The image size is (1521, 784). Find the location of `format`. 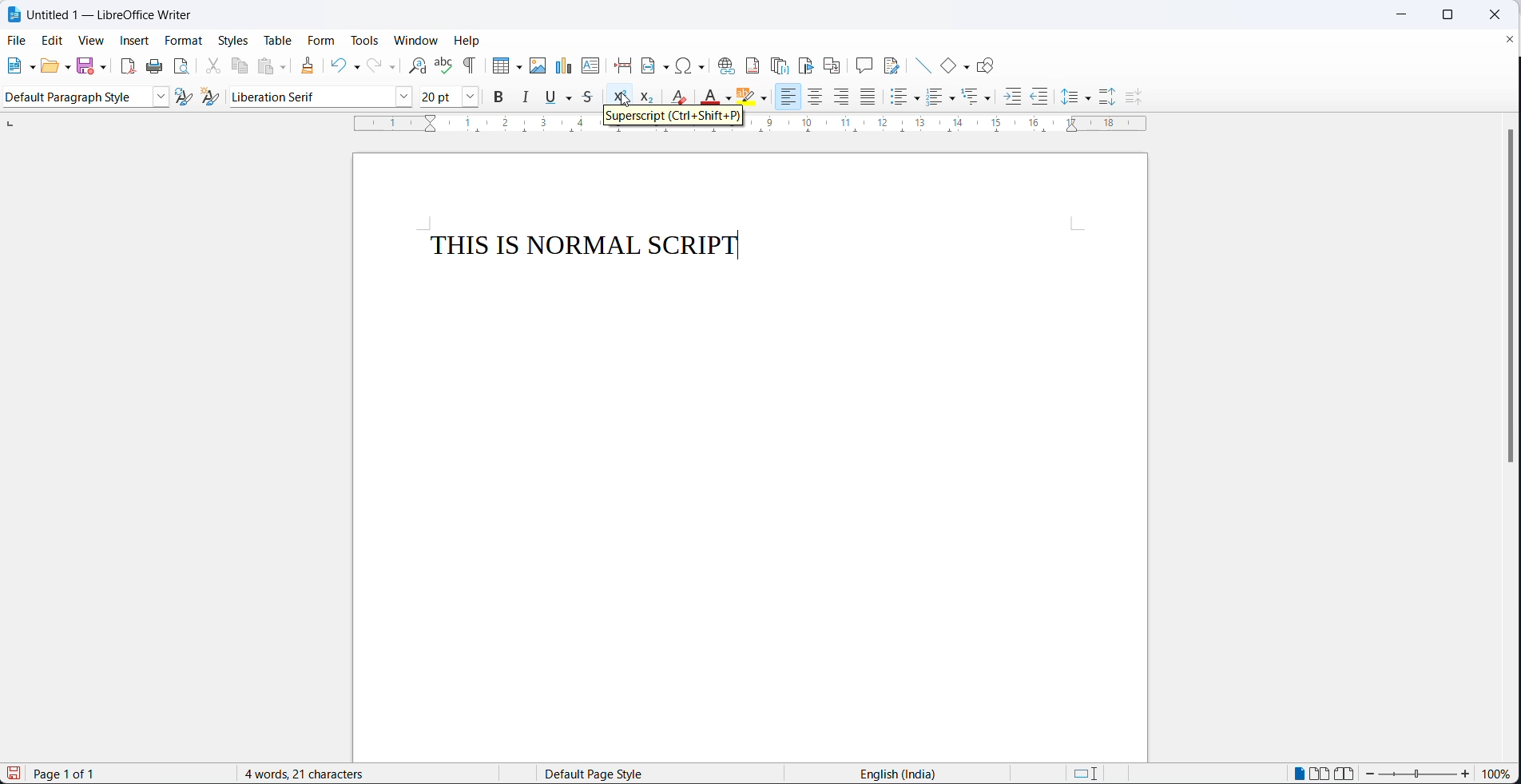

format is located at coordinates (183, 42).